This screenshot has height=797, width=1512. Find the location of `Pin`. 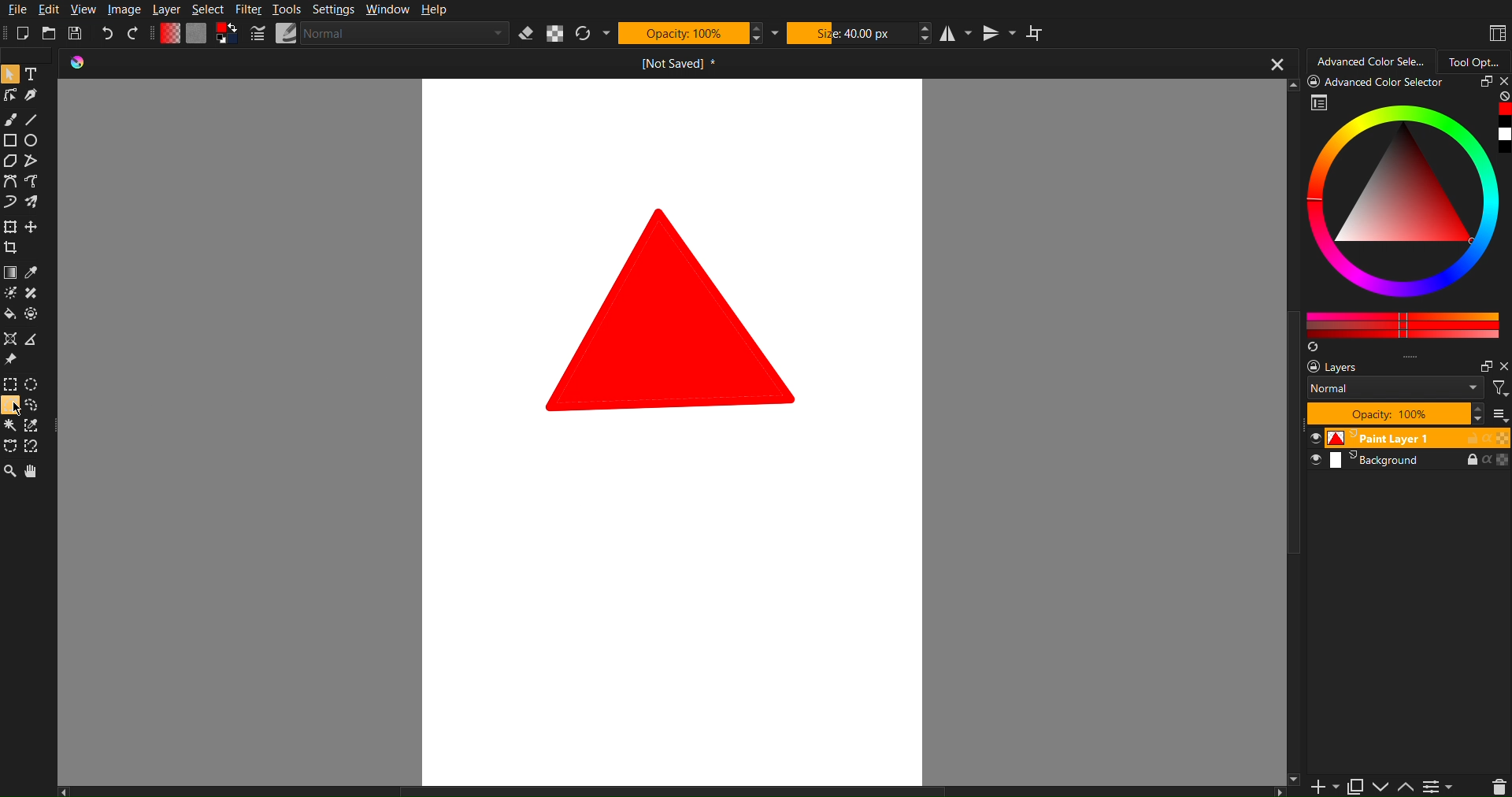

Pin is located at coordinates (9, 361).